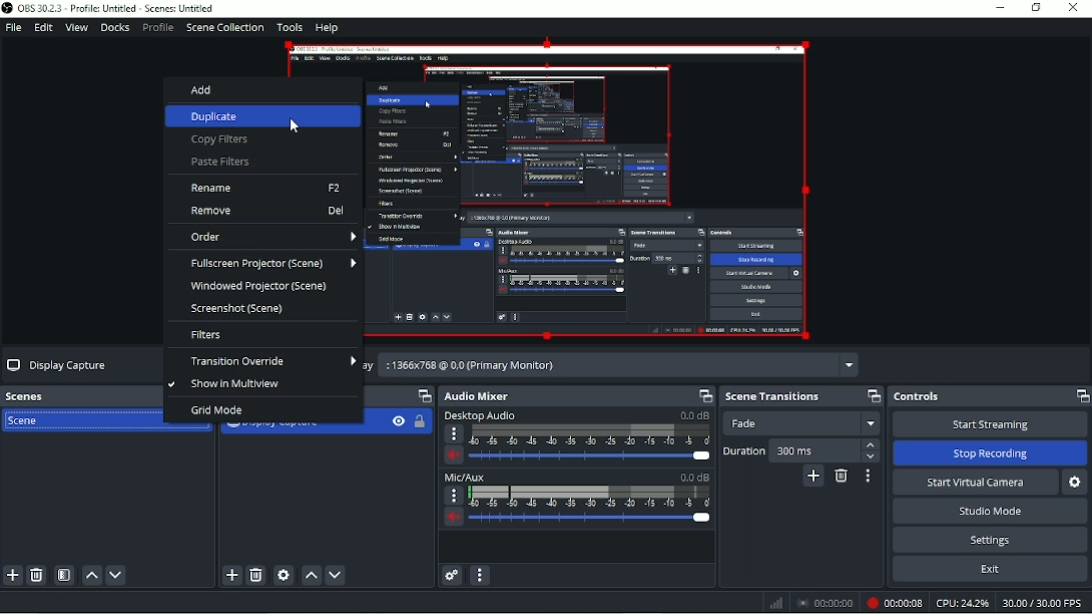 This screenshot has width=1092, height=614. I want to click on Add configurable transition, so click(814, 478).